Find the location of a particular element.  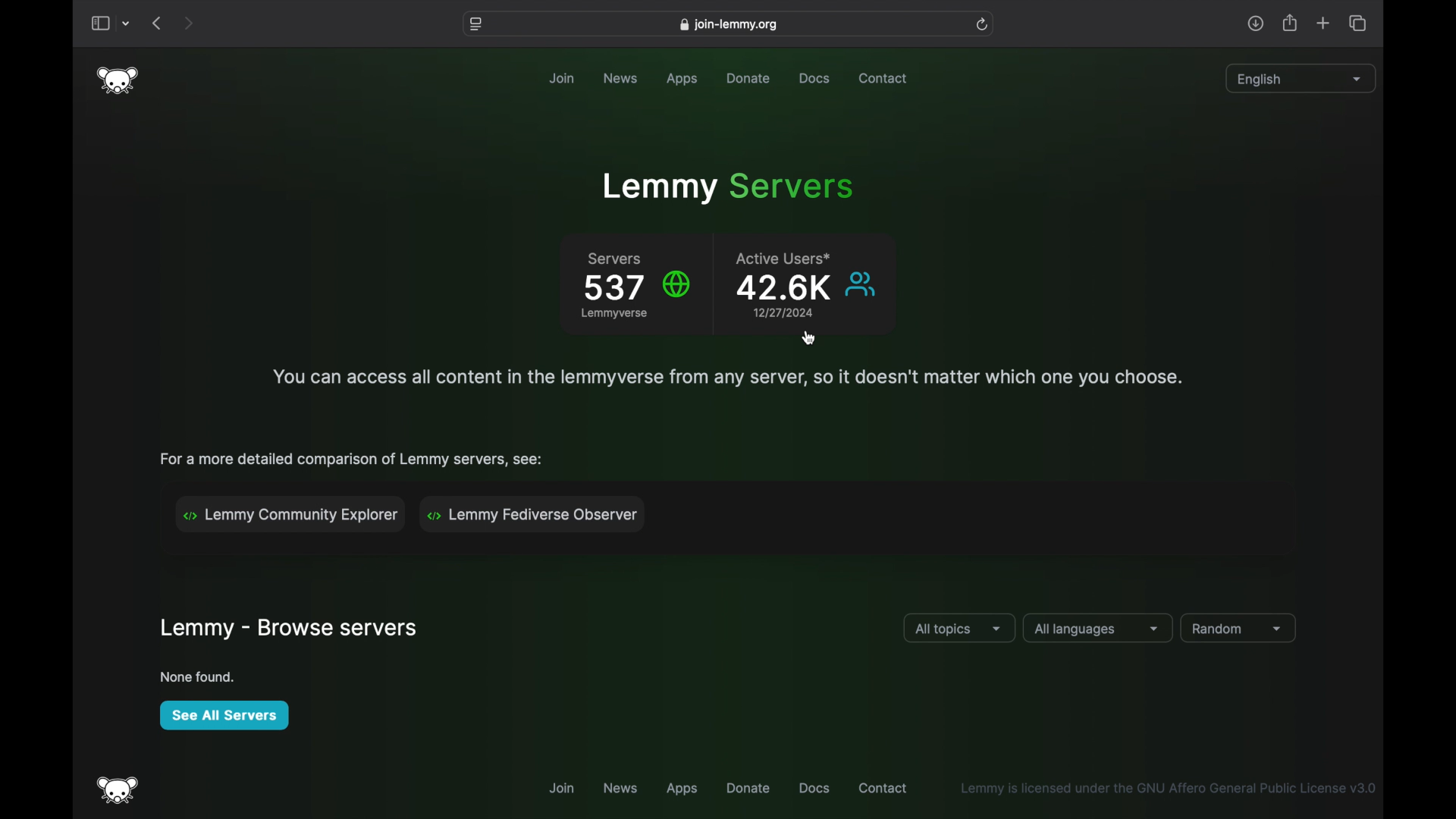

random  is located at coordinates (1238, 629).